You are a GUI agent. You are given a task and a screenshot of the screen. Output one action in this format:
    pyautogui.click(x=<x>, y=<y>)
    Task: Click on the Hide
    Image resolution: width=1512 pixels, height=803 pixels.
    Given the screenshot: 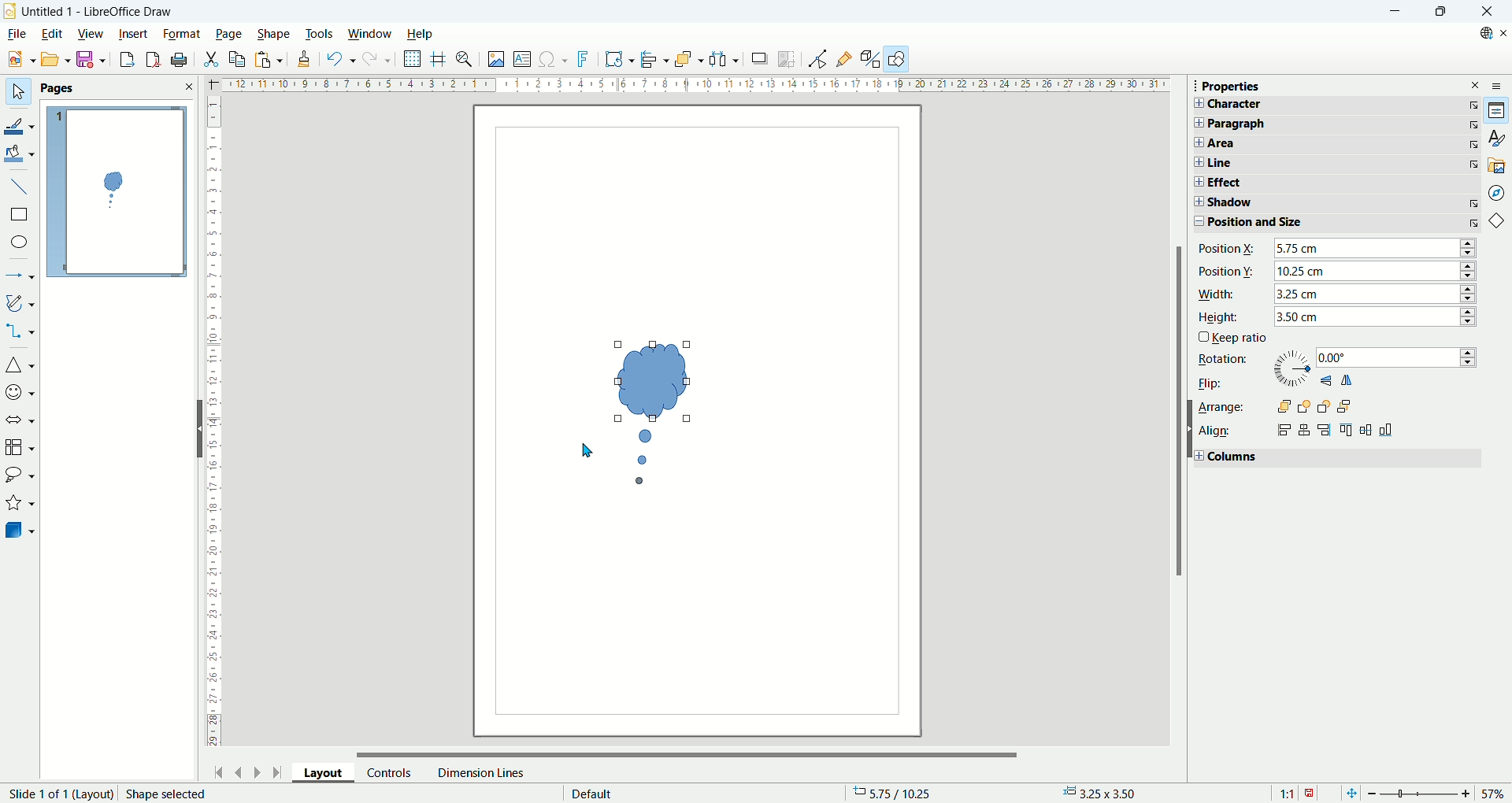 What is the action you would take?
    pyautogui.click(x=197, y=427)
    